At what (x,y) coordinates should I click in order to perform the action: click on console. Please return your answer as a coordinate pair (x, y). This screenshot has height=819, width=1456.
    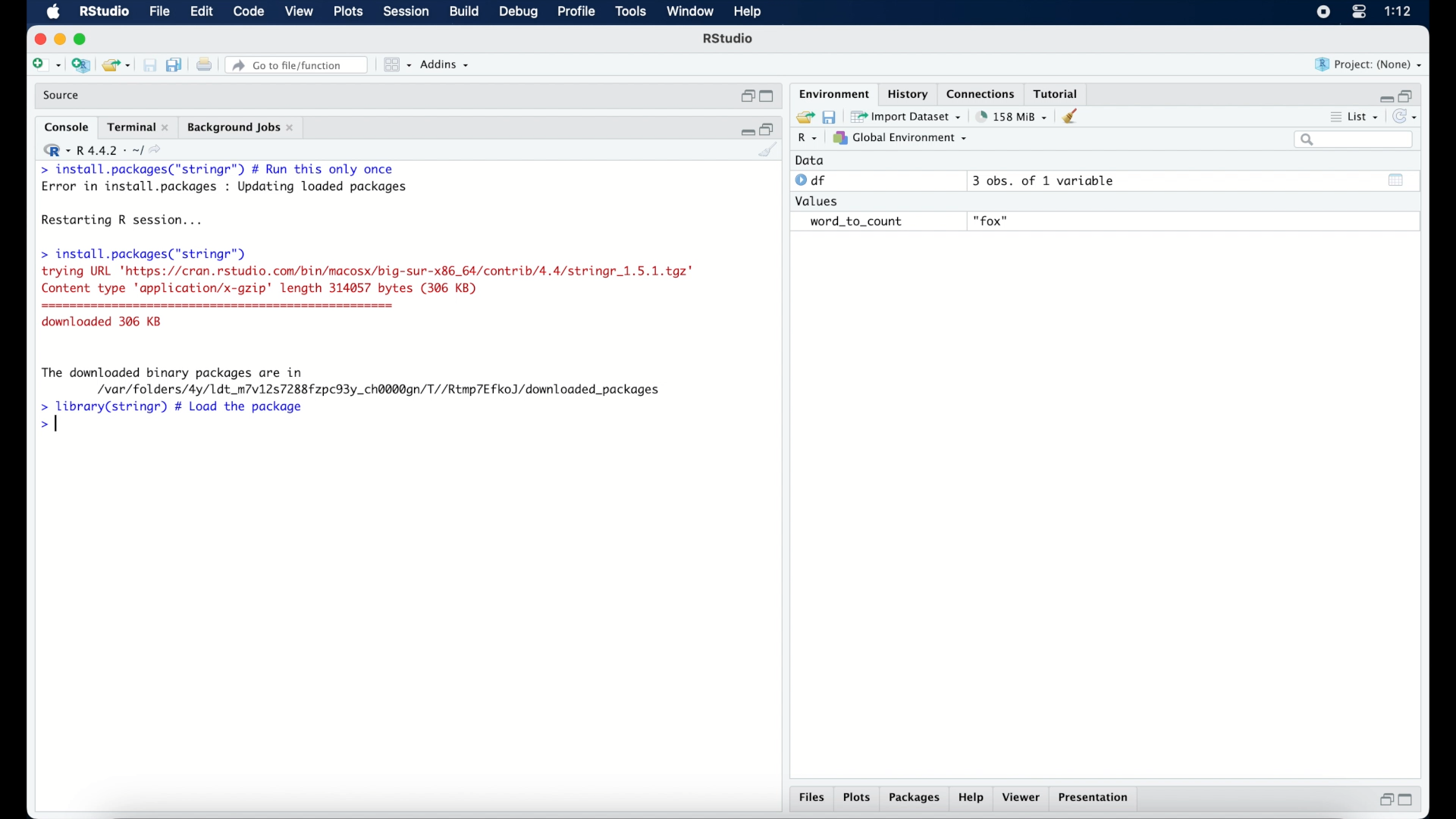
    Looking at the image, I should click on (67, 127).